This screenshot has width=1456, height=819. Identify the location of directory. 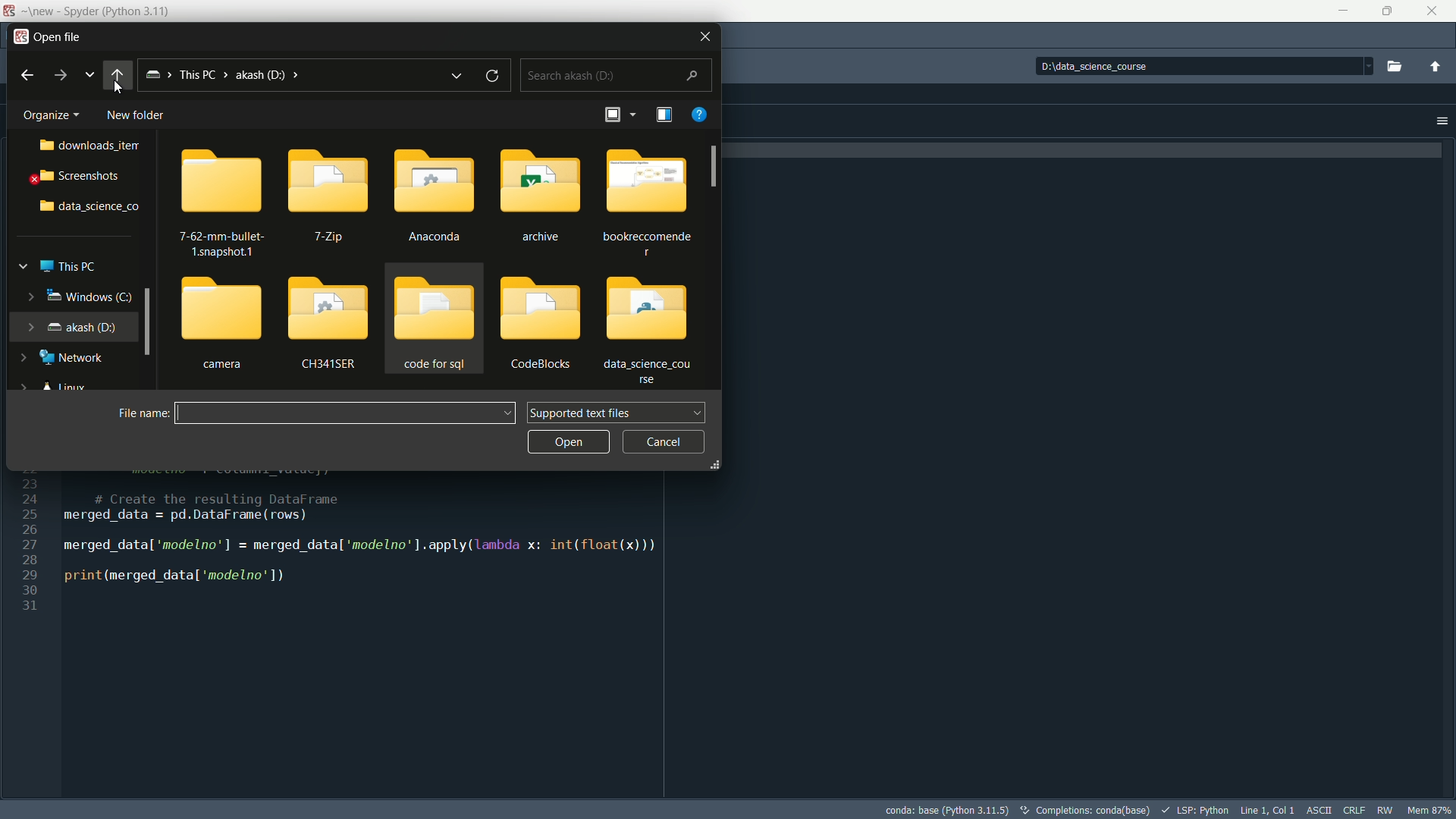
(266, 76).